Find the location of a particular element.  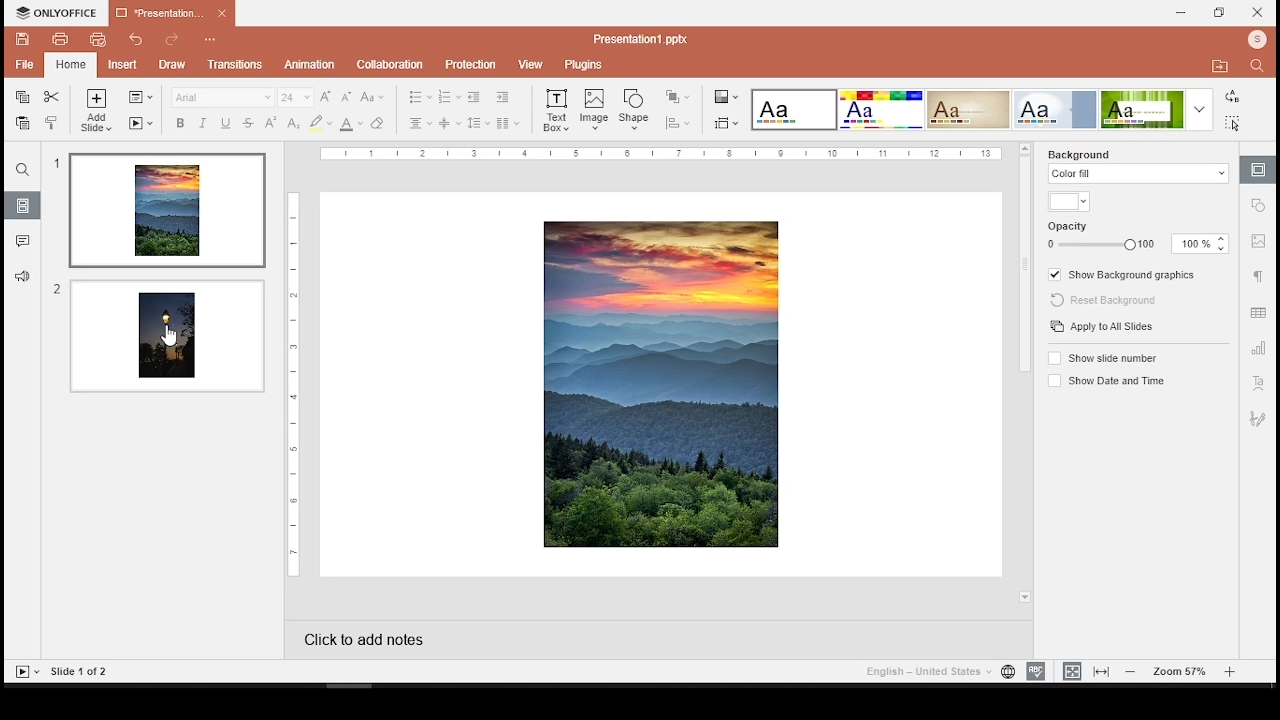

replace is located at coordinates (1229, 95).